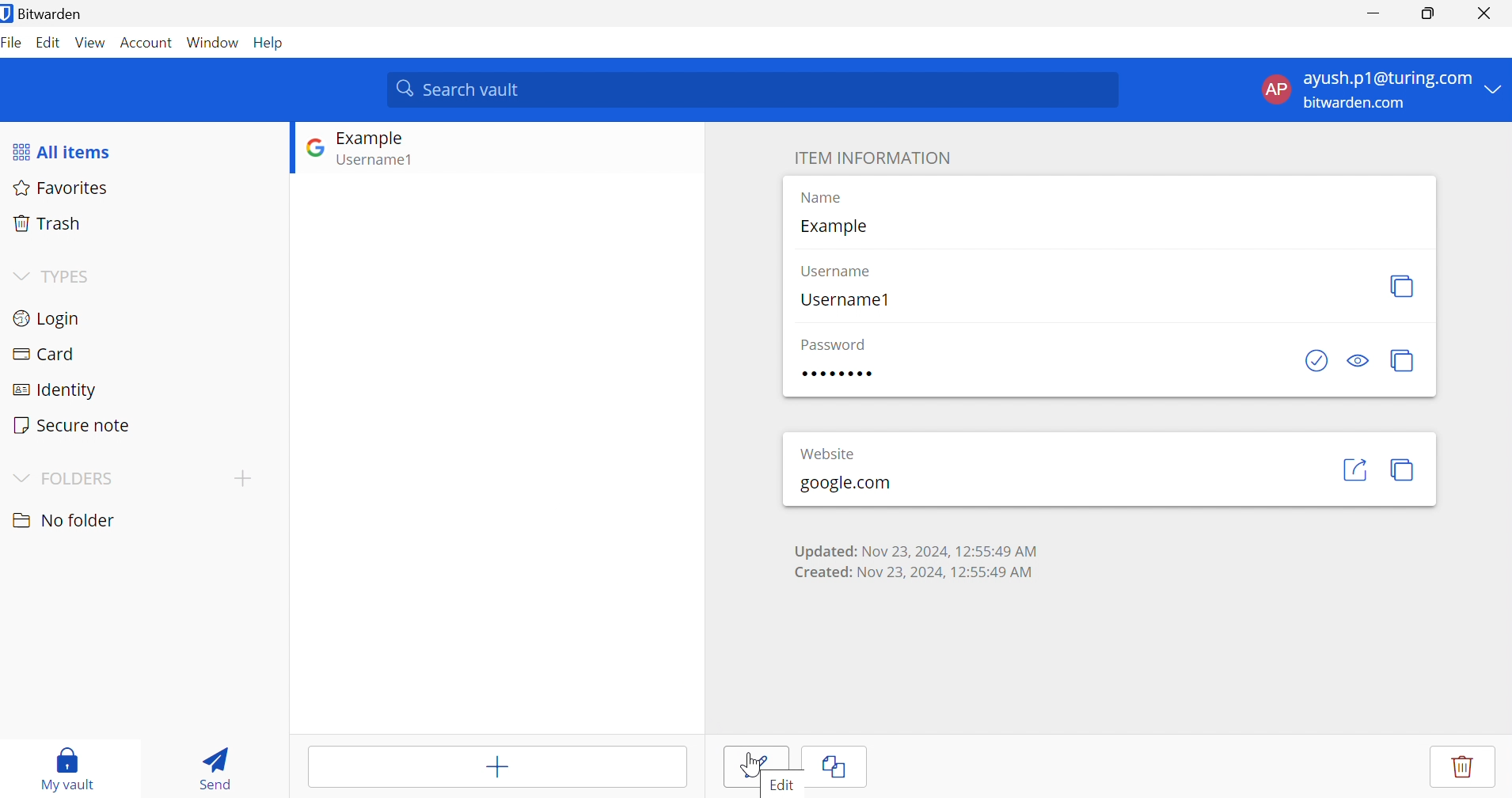  What do you see at coordinates (496, 765) in the screenshot?
I see `Add item` at bounding box center [496, 765].